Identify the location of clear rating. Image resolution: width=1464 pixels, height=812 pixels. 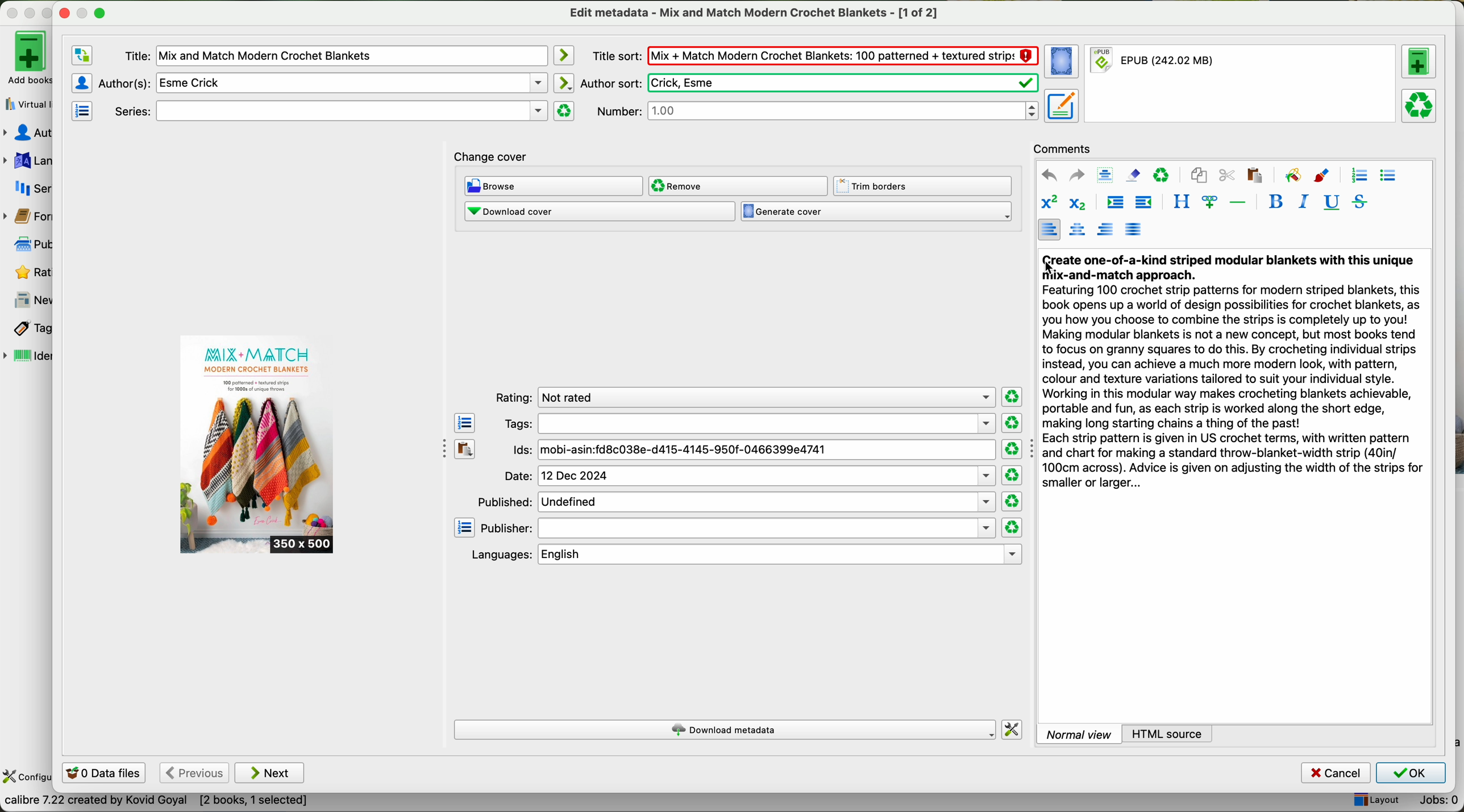
(1013, 397).